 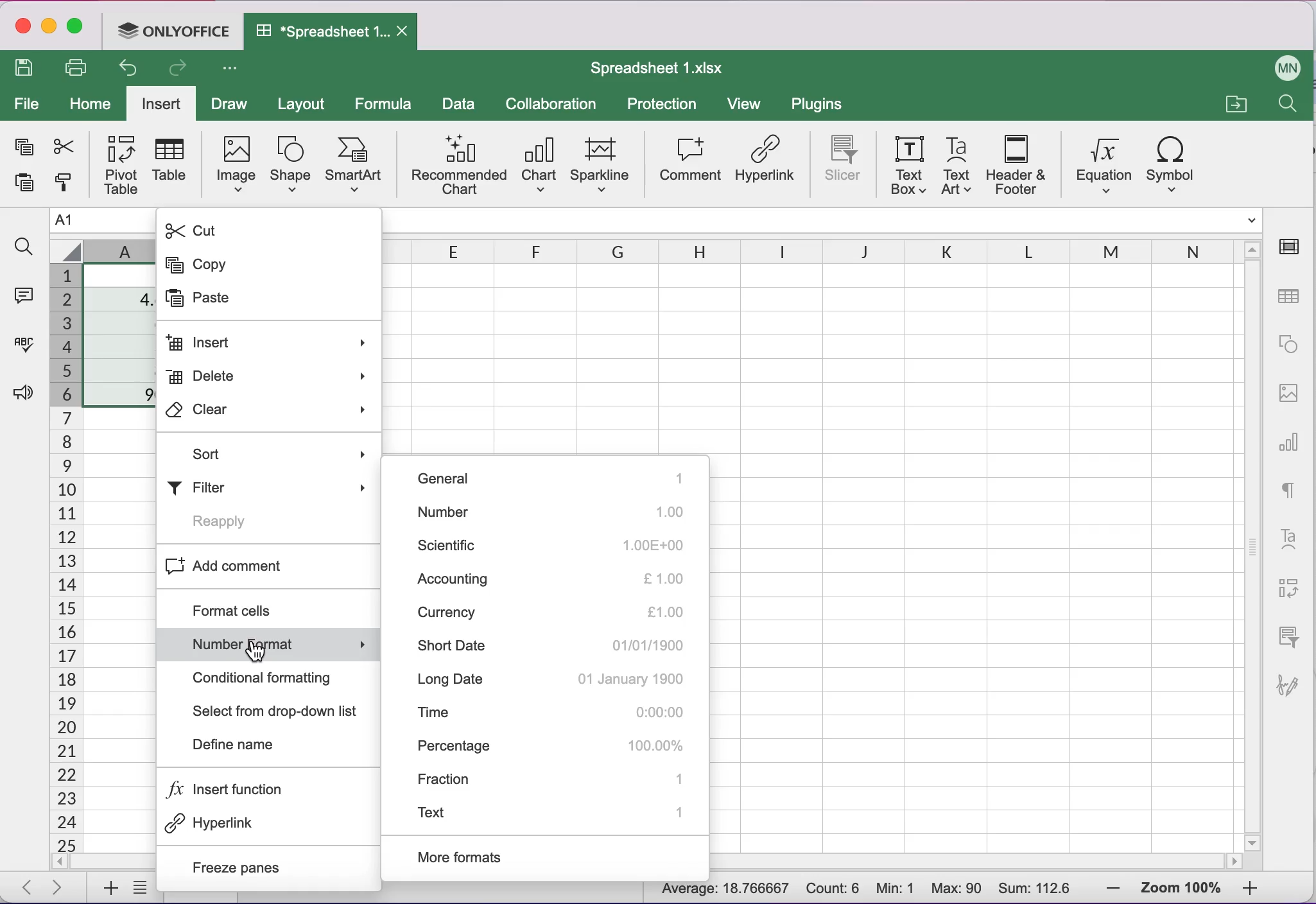 What do you see at coordinates (827, 251) in the screenshot?
I see `columns` at bounding box center [827, 251].